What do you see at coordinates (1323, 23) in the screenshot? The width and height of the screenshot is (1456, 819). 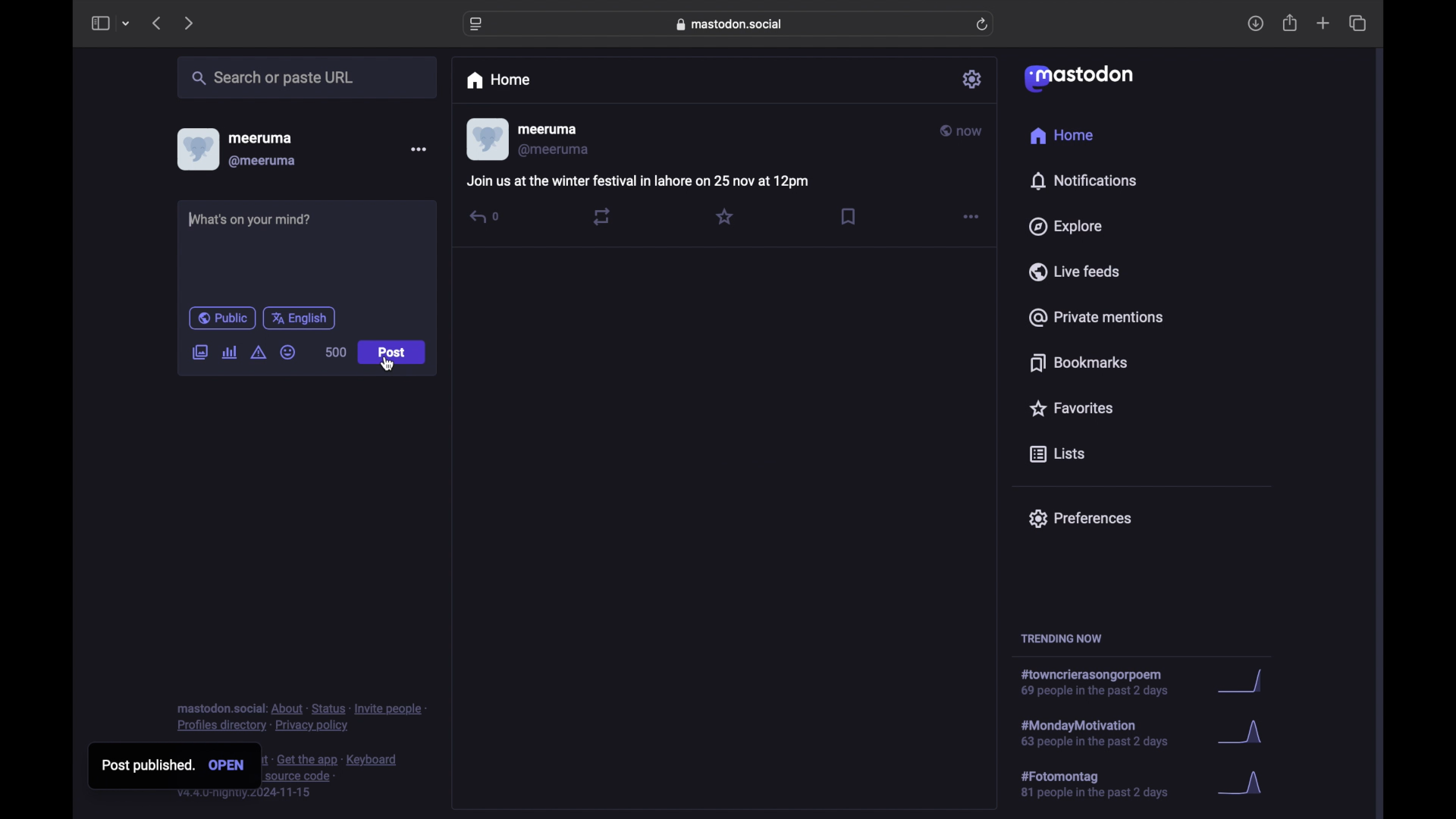 I see `new tab` at bounding box center [1323, 23].